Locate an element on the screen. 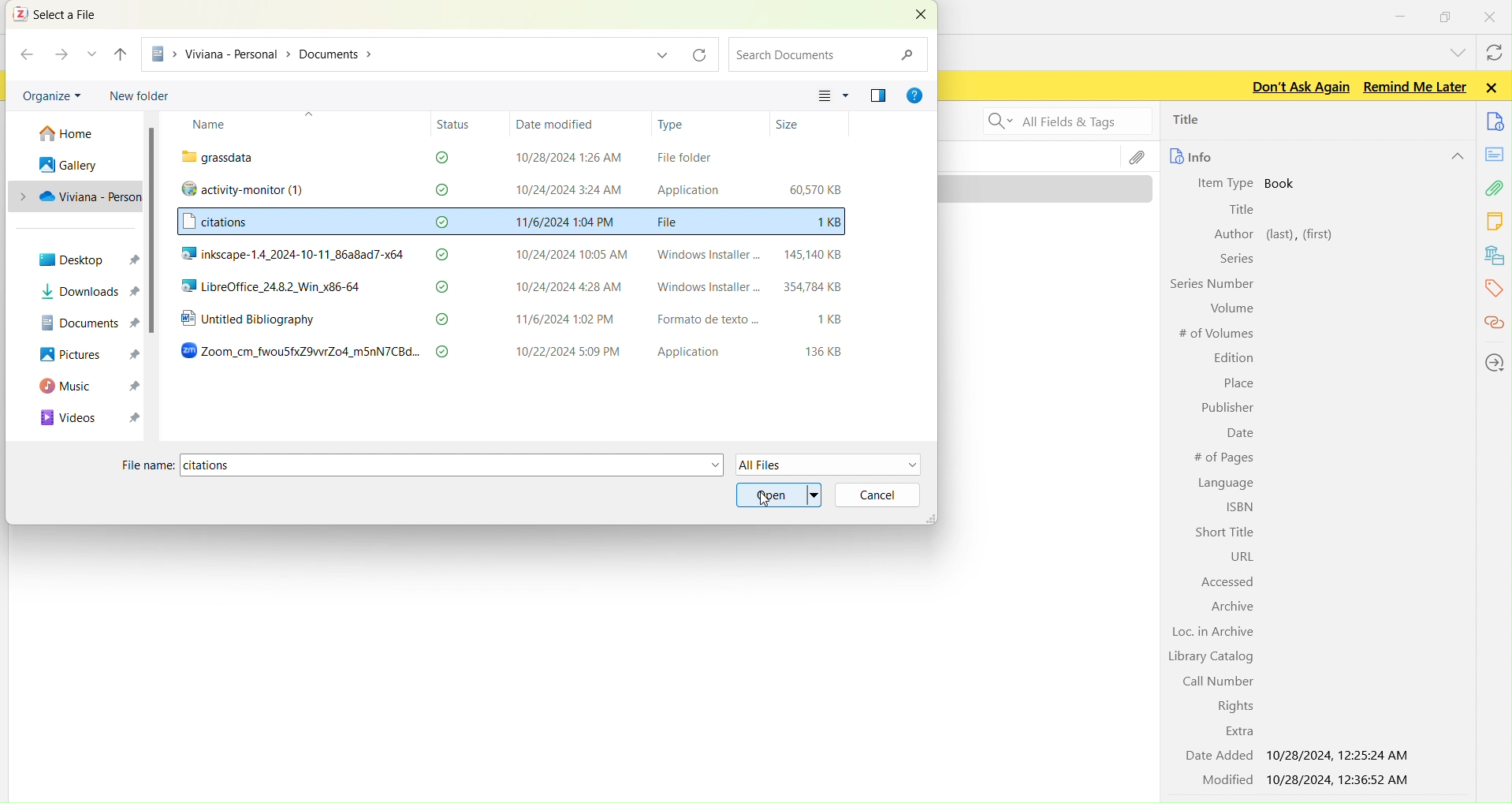  cancel is located at coordinates (886, 495).